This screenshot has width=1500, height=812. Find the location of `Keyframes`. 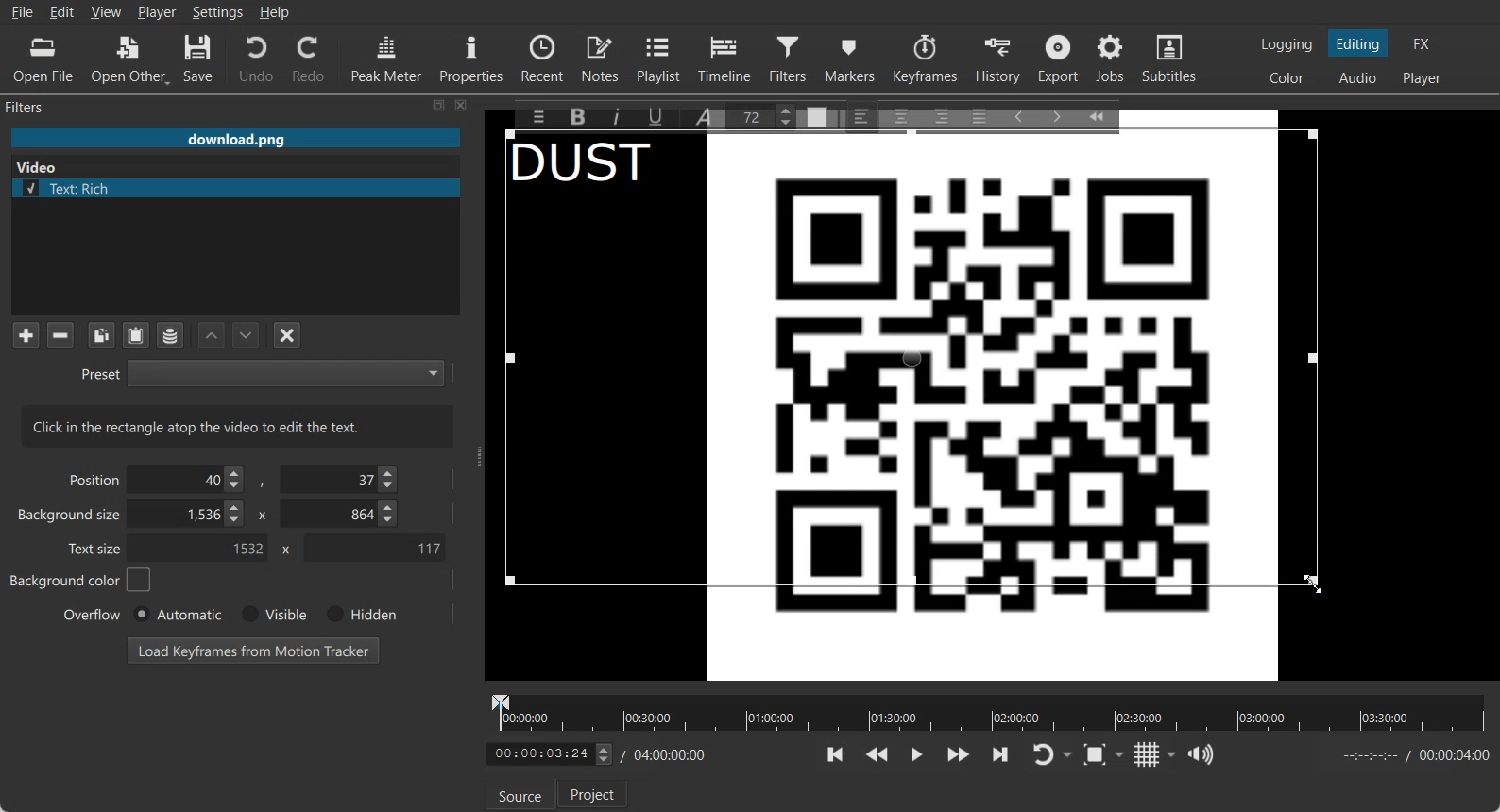

Keyframes is located at coordinates (925, 58).